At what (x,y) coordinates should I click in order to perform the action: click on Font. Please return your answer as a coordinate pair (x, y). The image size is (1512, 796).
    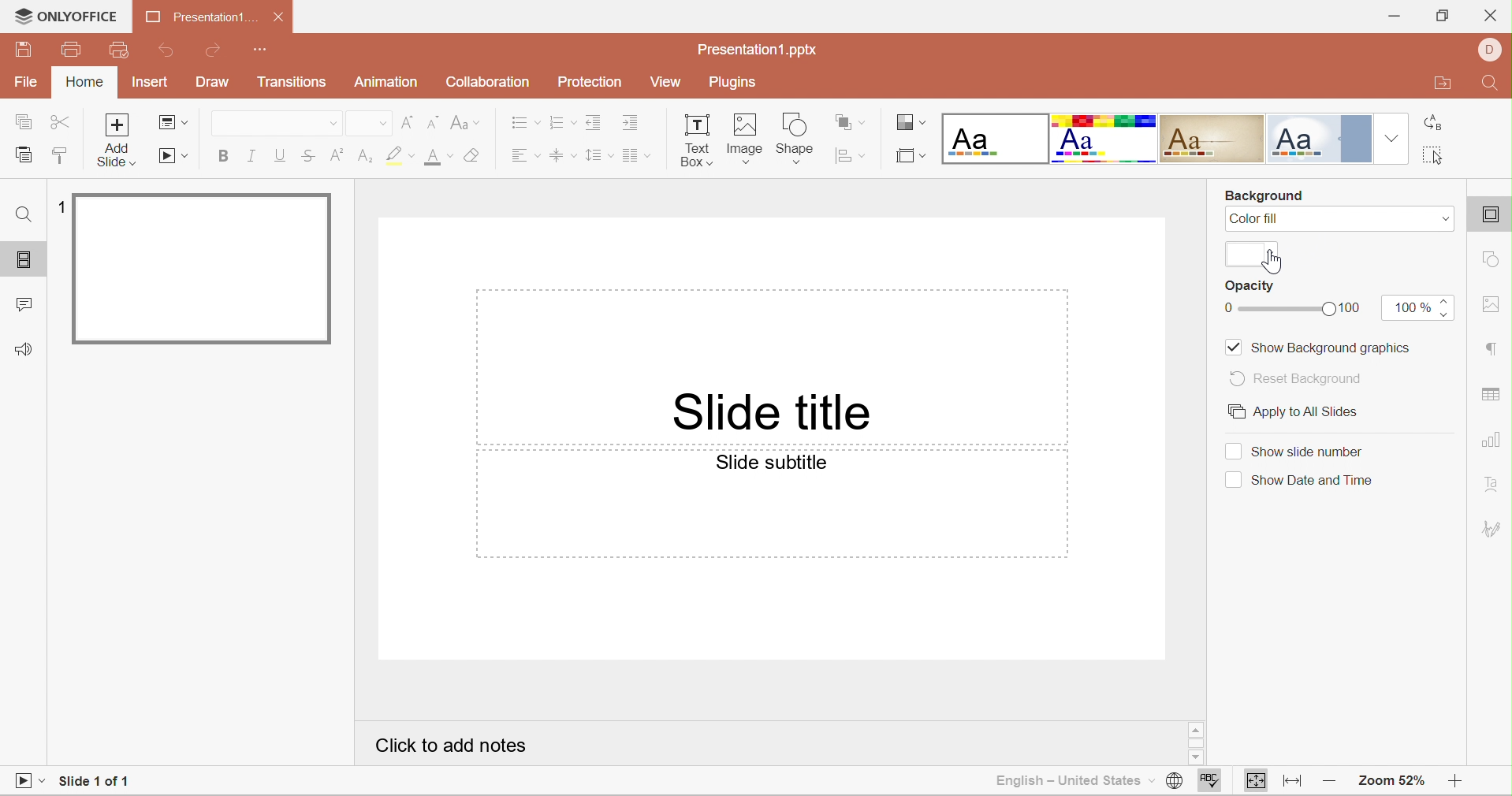
    Looking at the image, I should click on (254, 124).